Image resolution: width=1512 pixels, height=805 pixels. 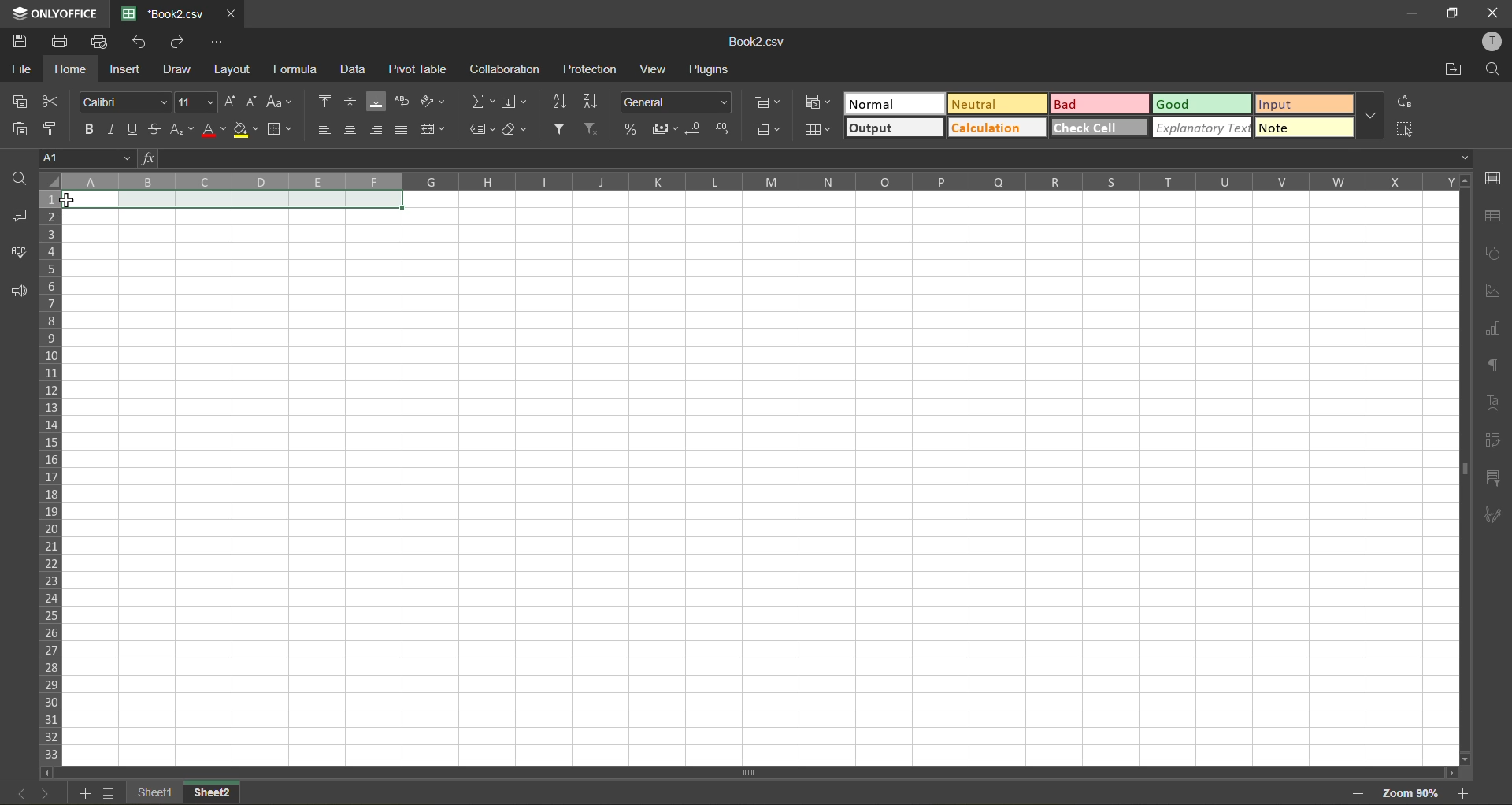 I want to click on feedback, so click(x=16, y=294).